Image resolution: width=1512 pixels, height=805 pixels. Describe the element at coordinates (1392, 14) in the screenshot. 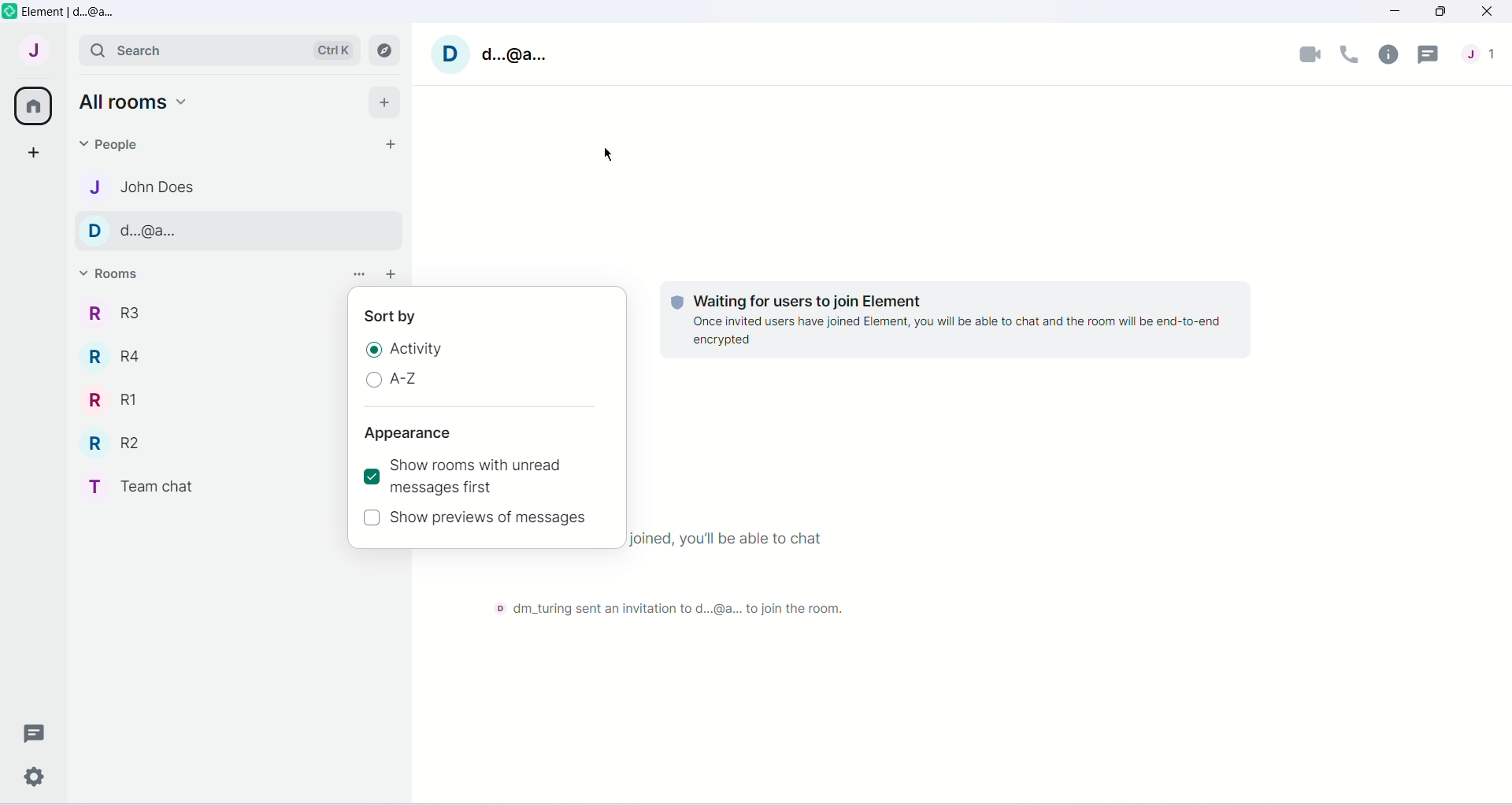

I see `Minimize` at that location.